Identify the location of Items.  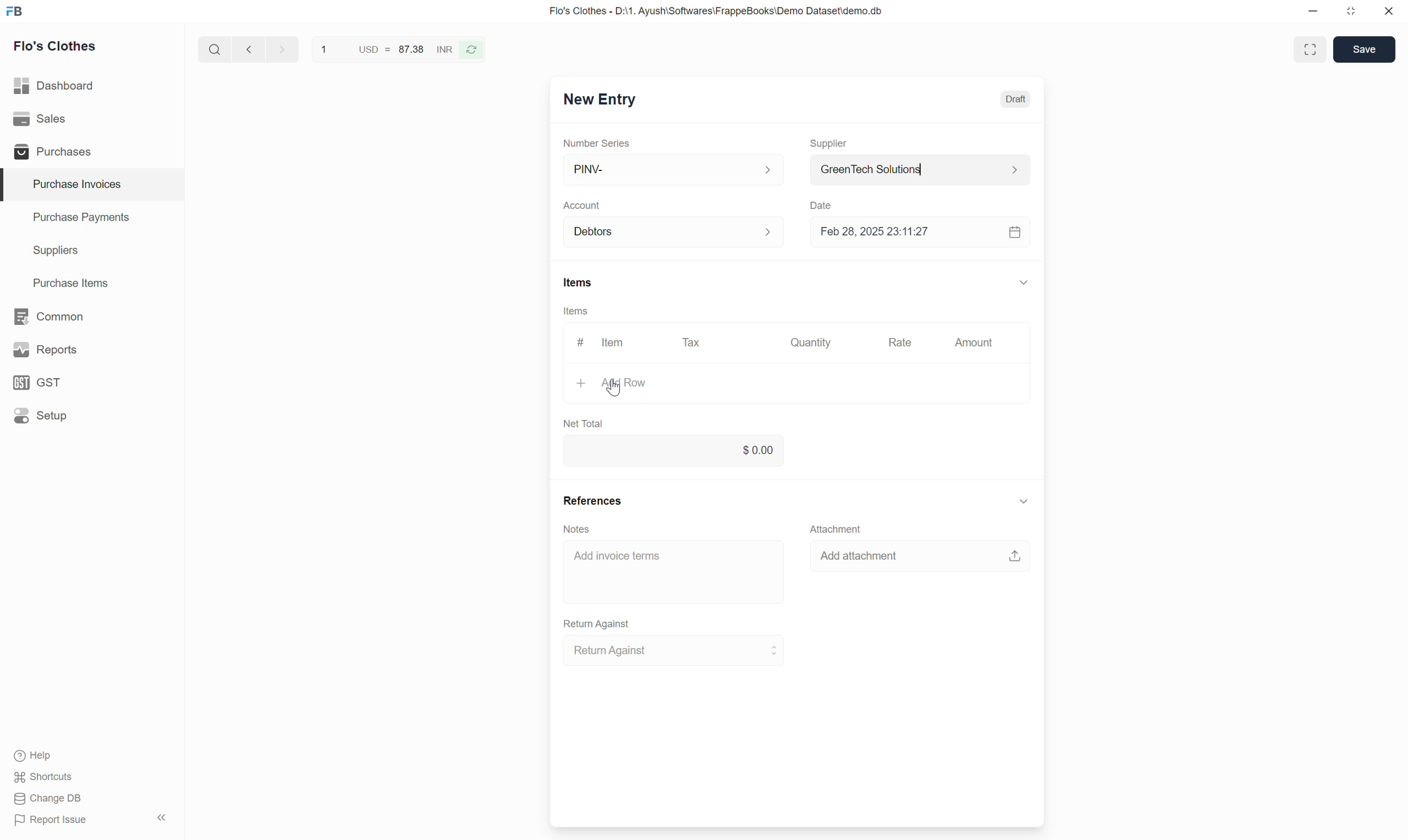
(579, 282).